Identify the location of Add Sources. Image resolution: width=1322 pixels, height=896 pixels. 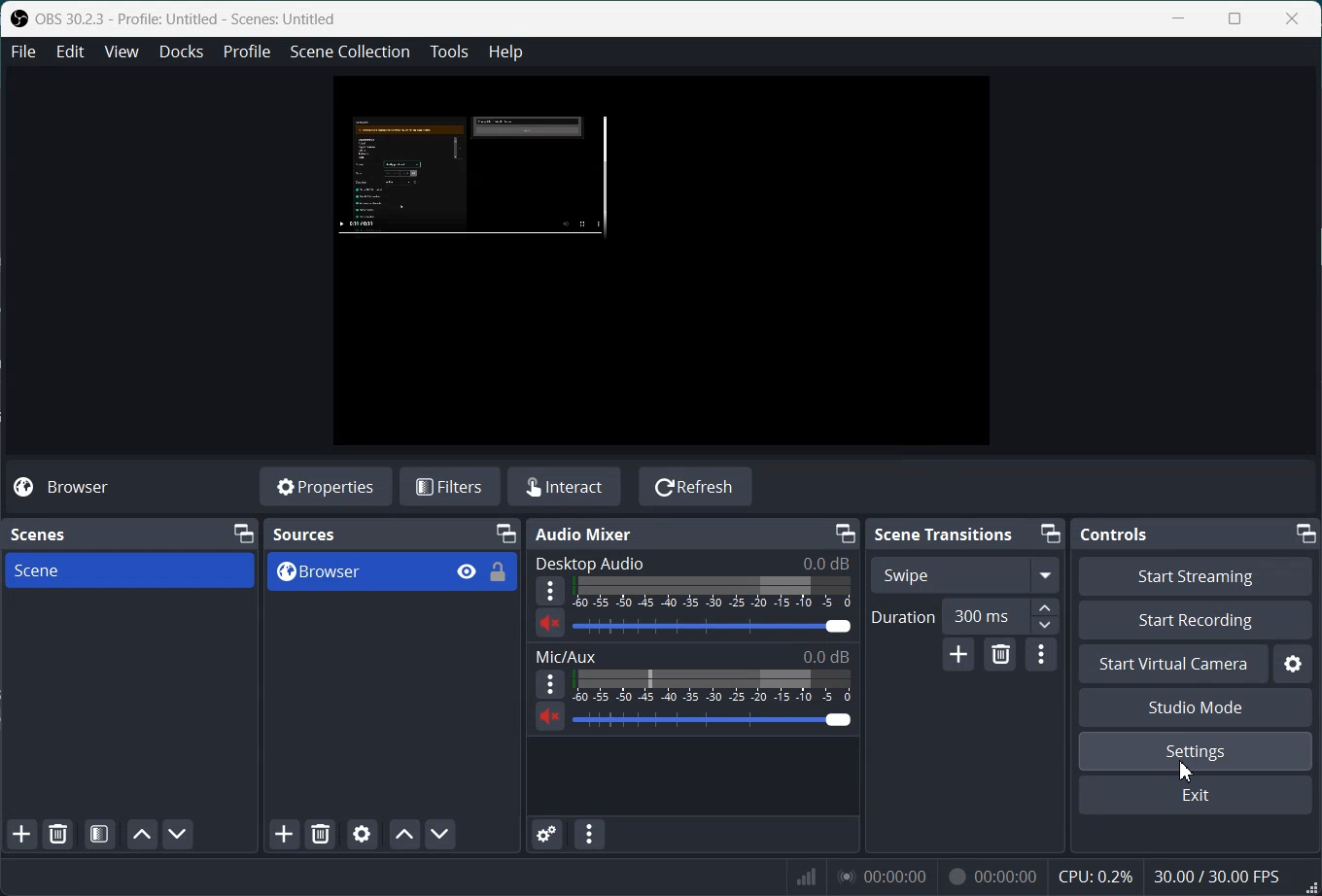
(284, 834).